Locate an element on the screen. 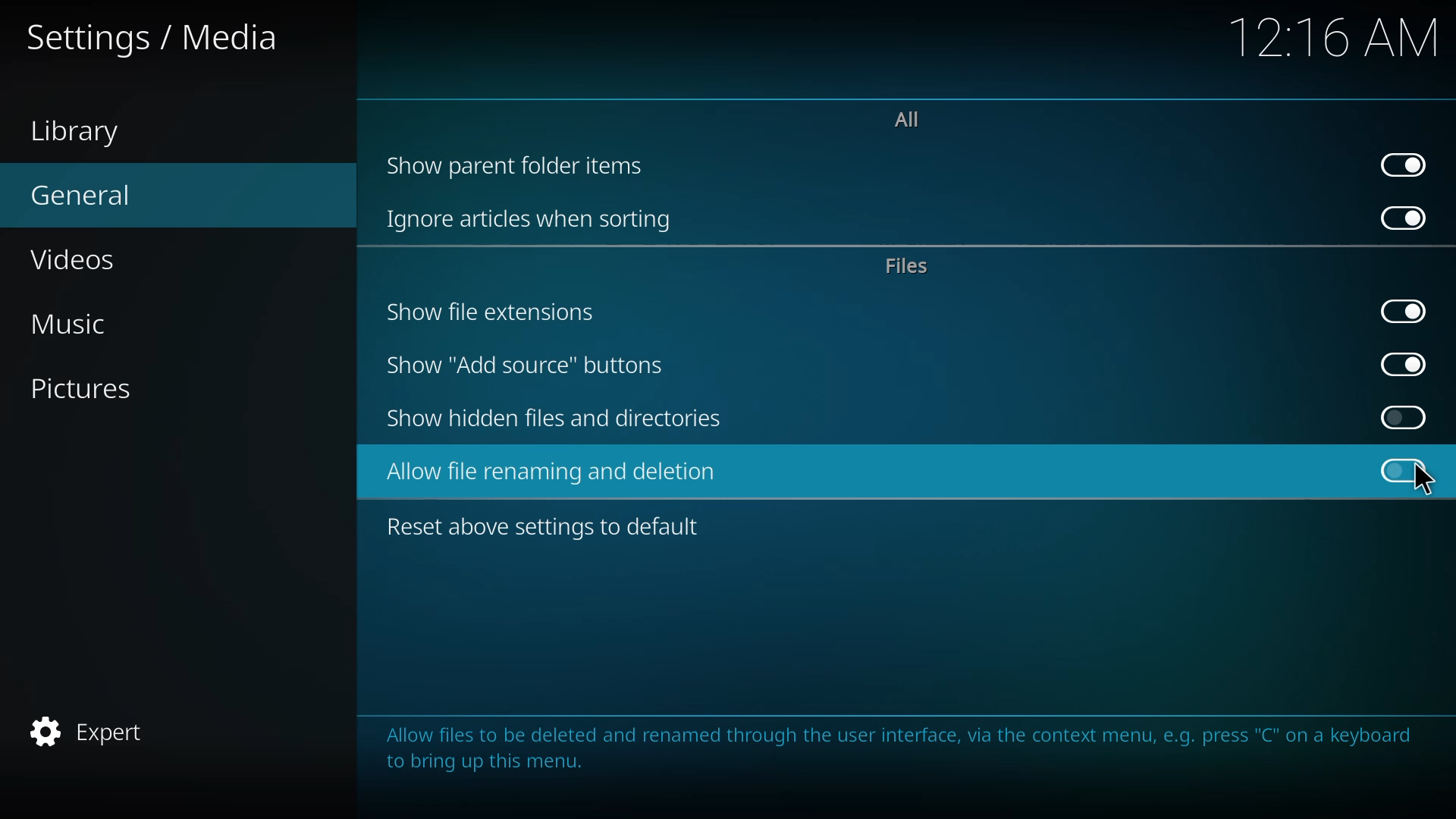 This screenshot has height=819, width=1456. Allow files to be deleted and renamed through the user interface, via the context menu, e.g. press "C" on a keyboard
to bring up this menu. is located at coordinates (897, 749).